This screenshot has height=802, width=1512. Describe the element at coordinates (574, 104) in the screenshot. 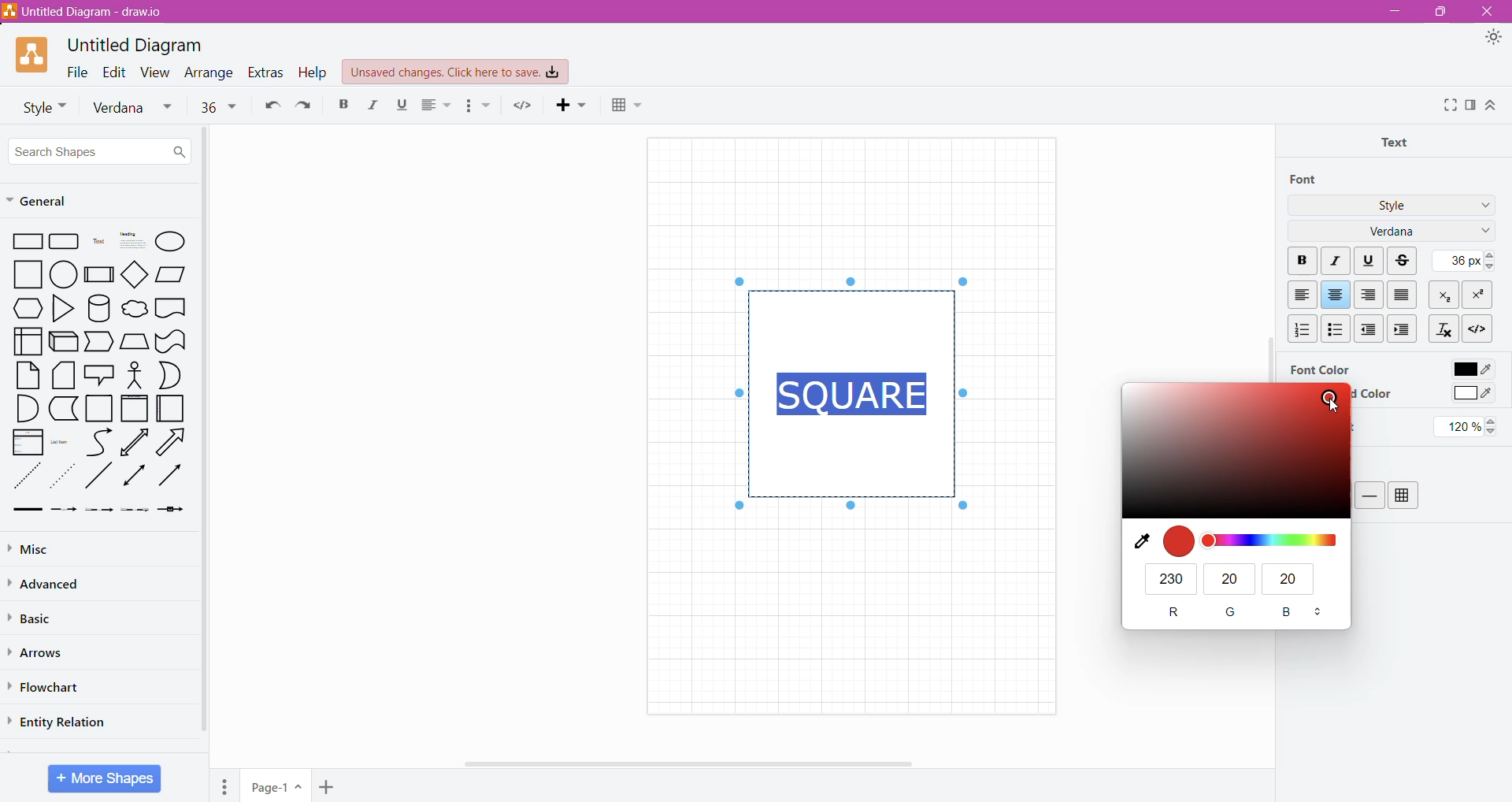

I see `Insert` at that location.